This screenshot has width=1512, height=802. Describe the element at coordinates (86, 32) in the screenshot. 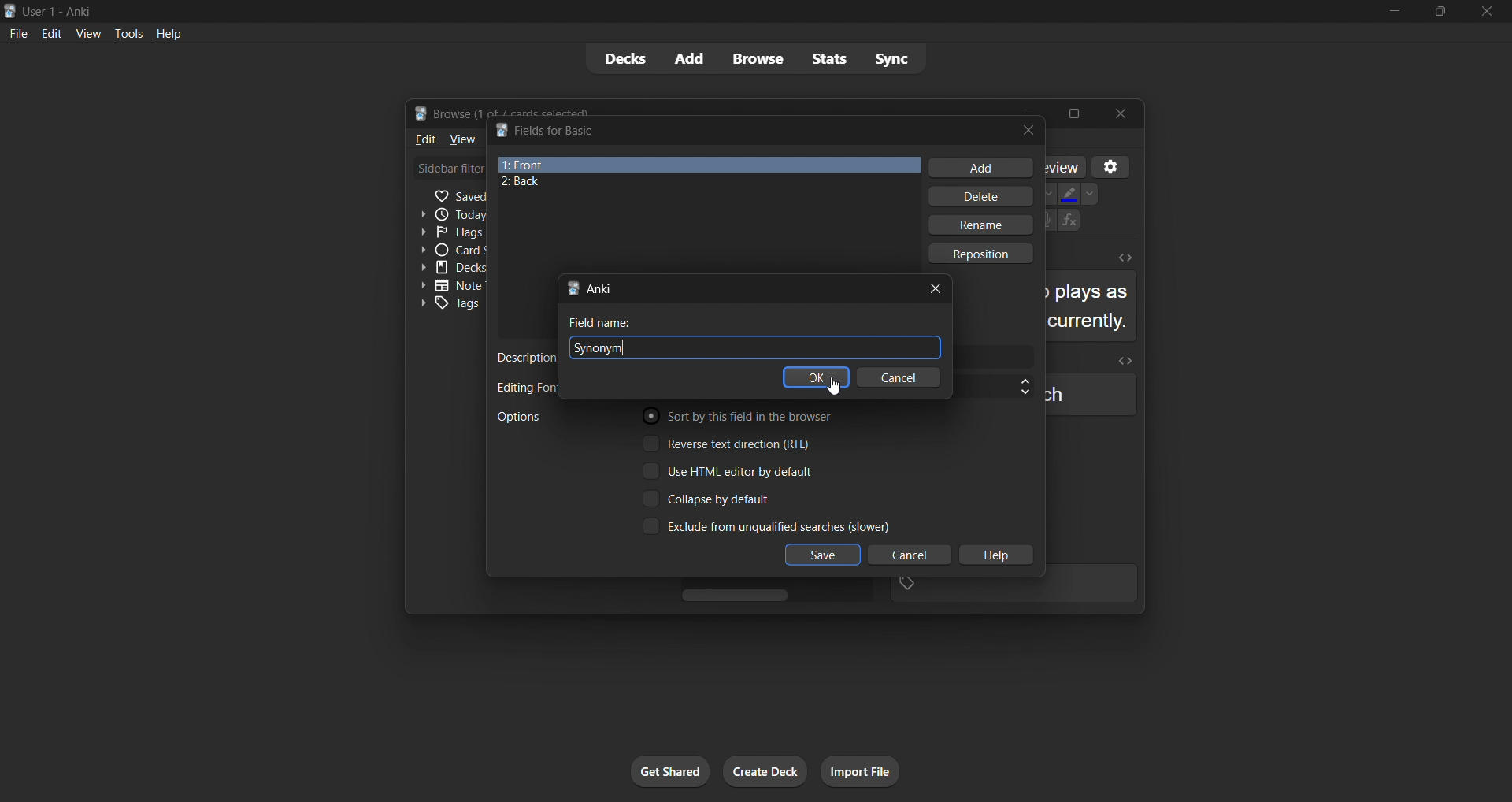

I see `view` at that location.